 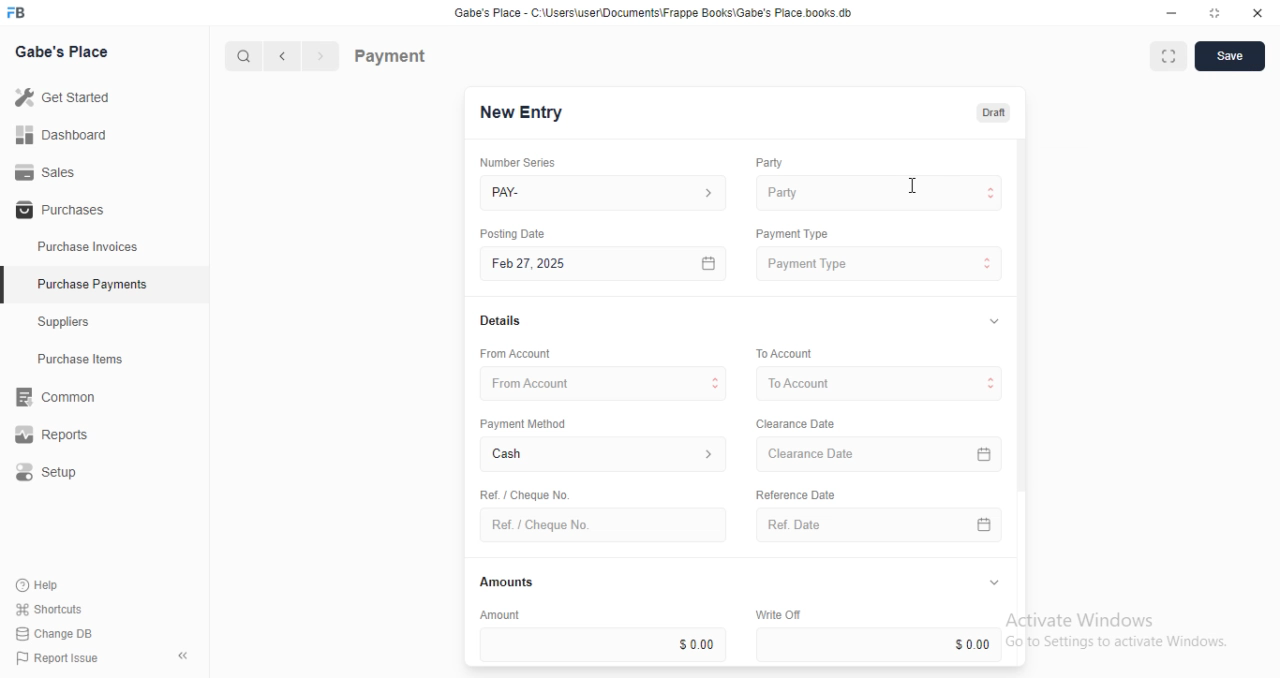 What do you see at coordinates (47, 610) in the screenshot?
I see `Shortcuts` at bounding box center [47, 610].